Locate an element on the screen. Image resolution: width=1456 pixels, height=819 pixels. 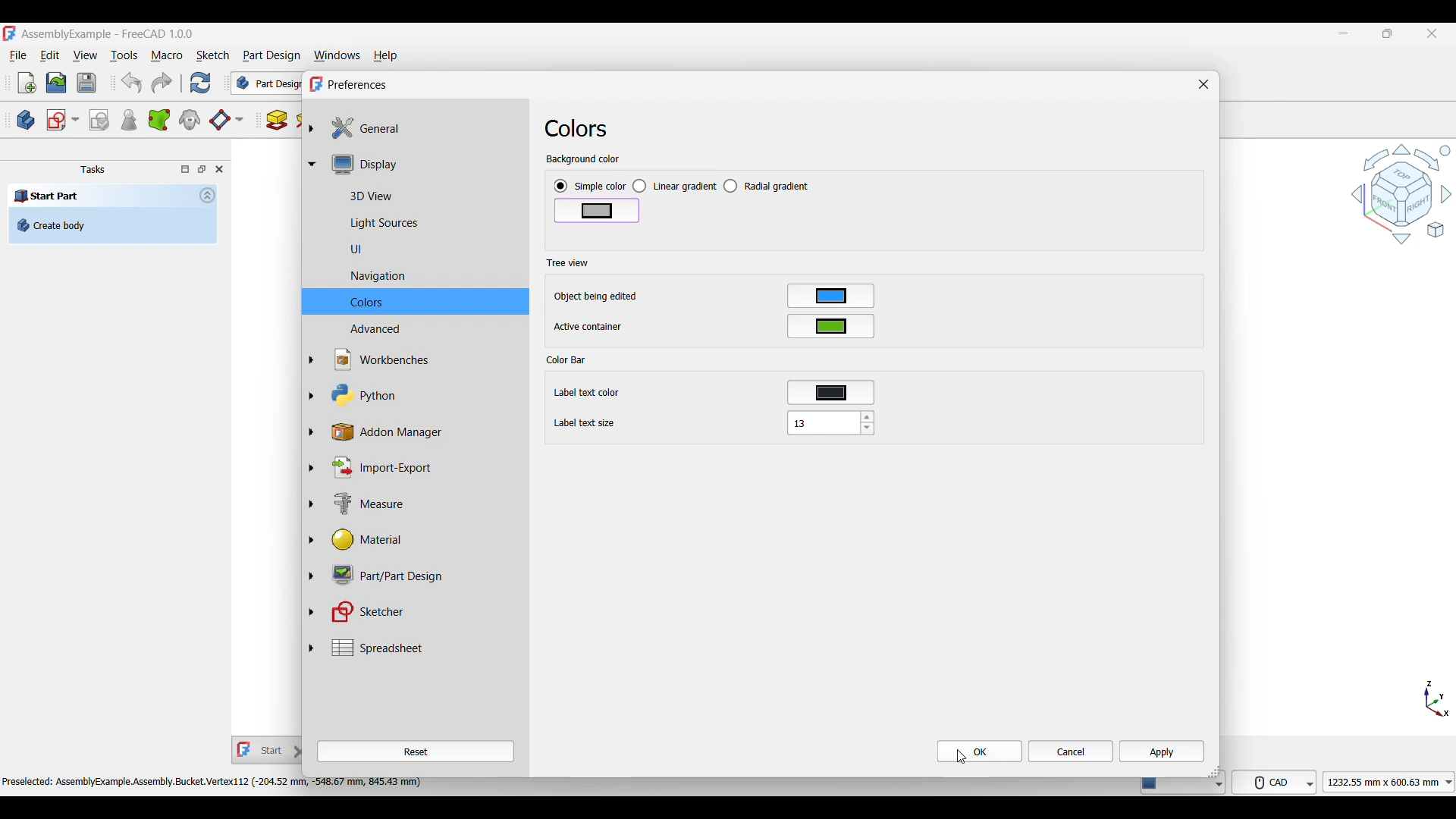
Label text size is located at coordinates (585, 424).